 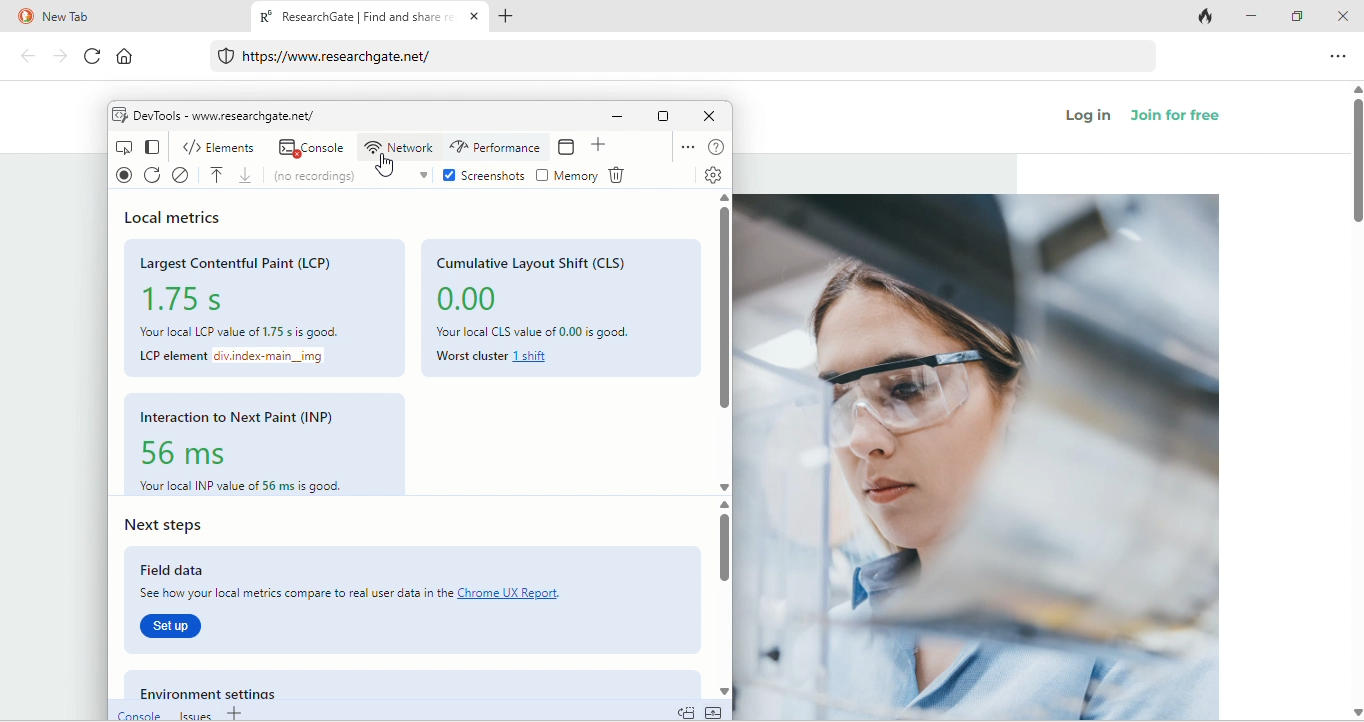 What do you see at coordinates (571, 176) in the screenshot?
I see `memory checkbox` at bounding box center [571, 176].